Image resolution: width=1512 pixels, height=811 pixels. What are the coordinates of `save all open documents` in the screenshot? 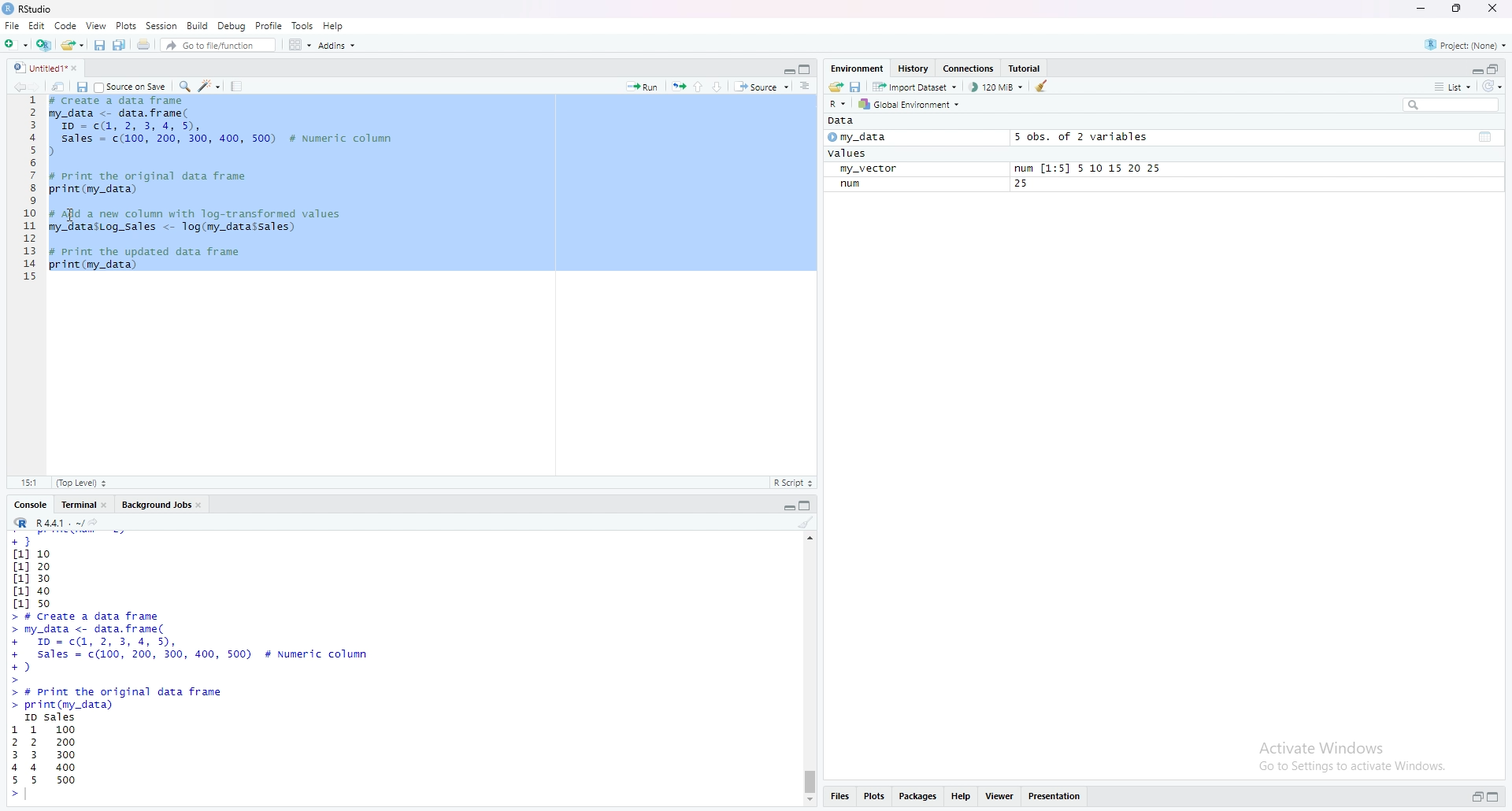 It's located at (122, 46).